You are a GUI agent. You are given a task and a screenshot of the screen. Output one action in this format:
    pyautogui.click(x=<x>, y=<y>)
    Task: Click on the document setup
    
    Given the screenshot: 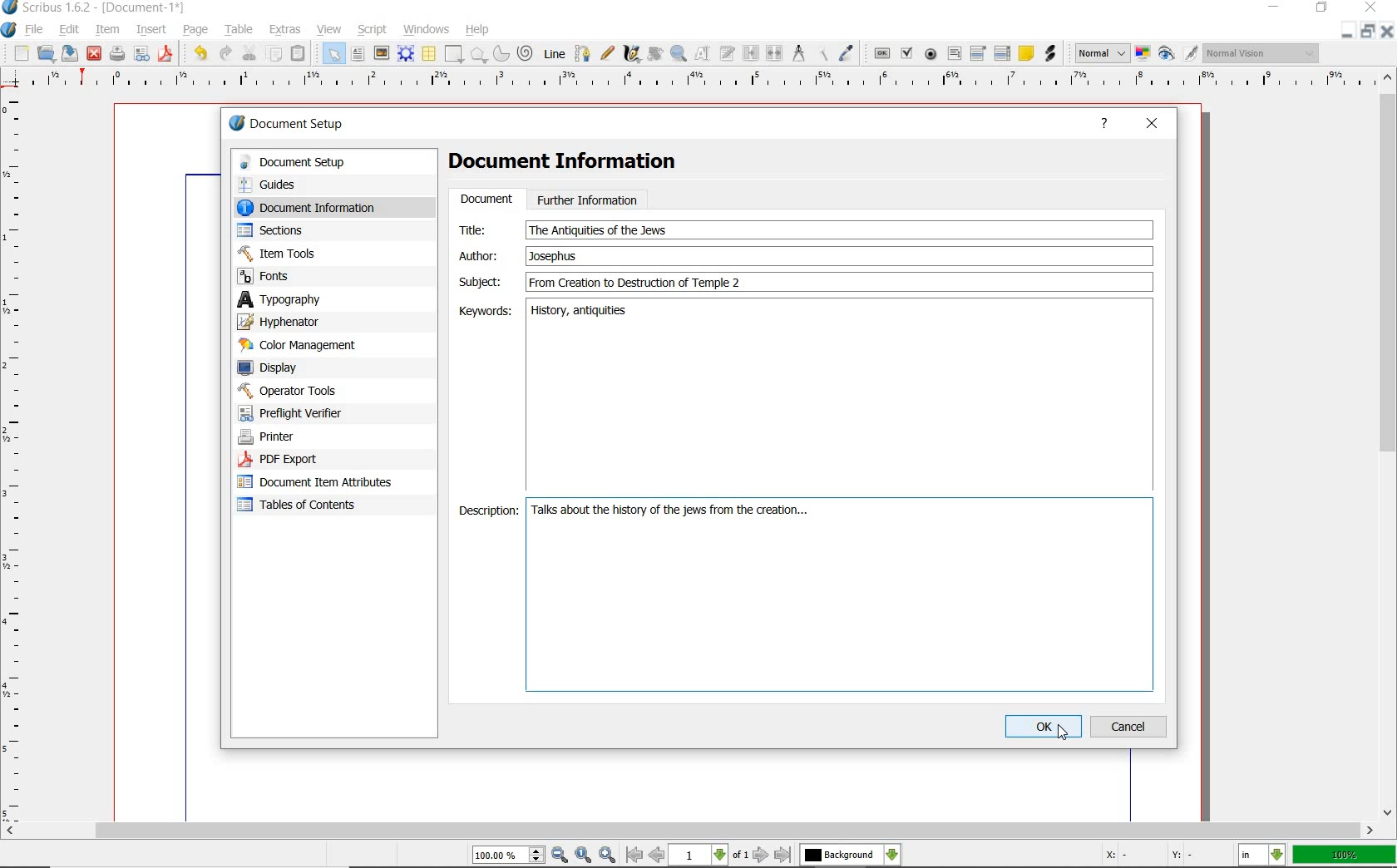 What is the action you would take?
    pyautogui.click(x=320, y=162)
    